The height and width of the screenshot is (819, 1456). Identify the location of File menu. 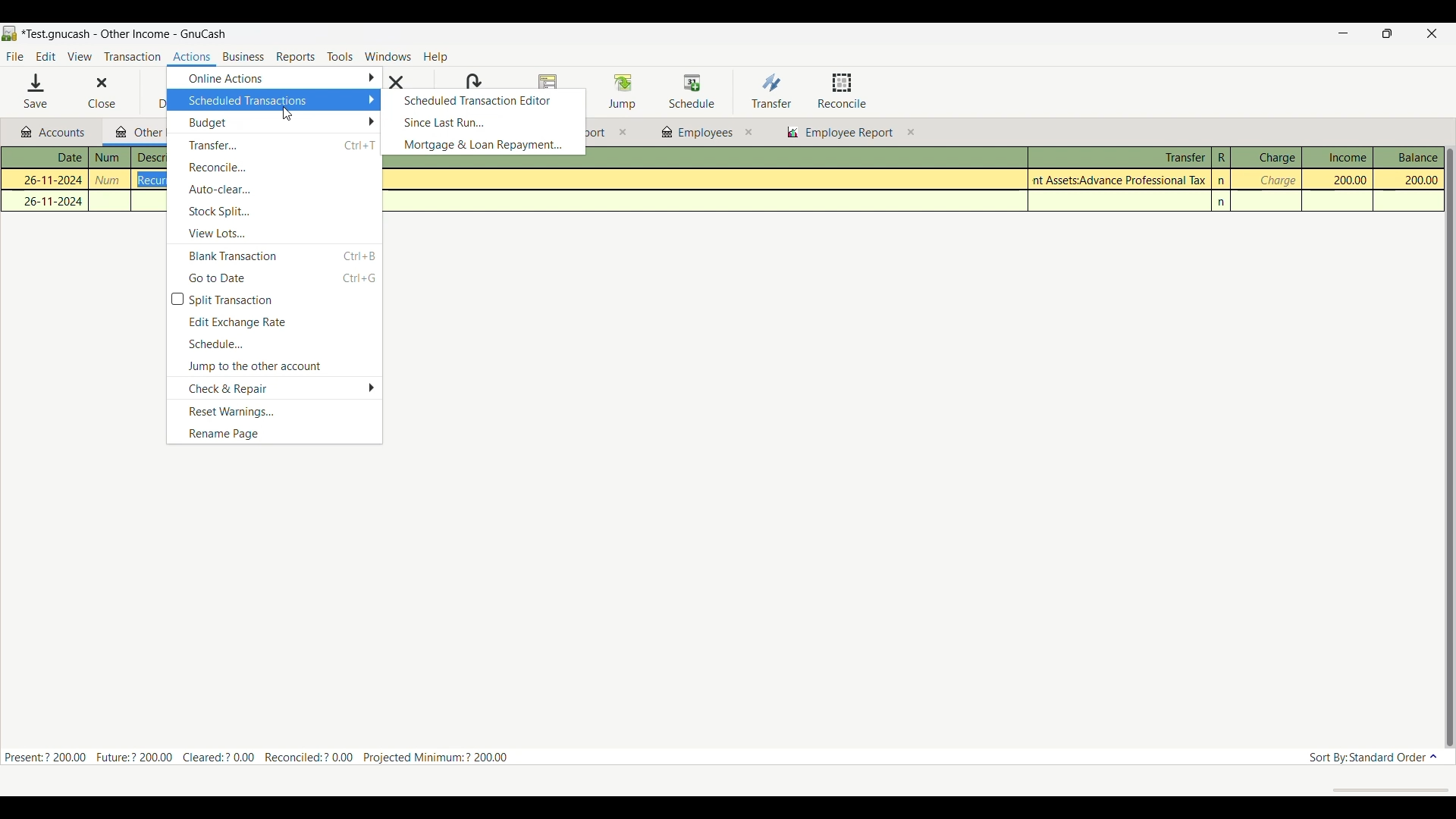
(14, 57).